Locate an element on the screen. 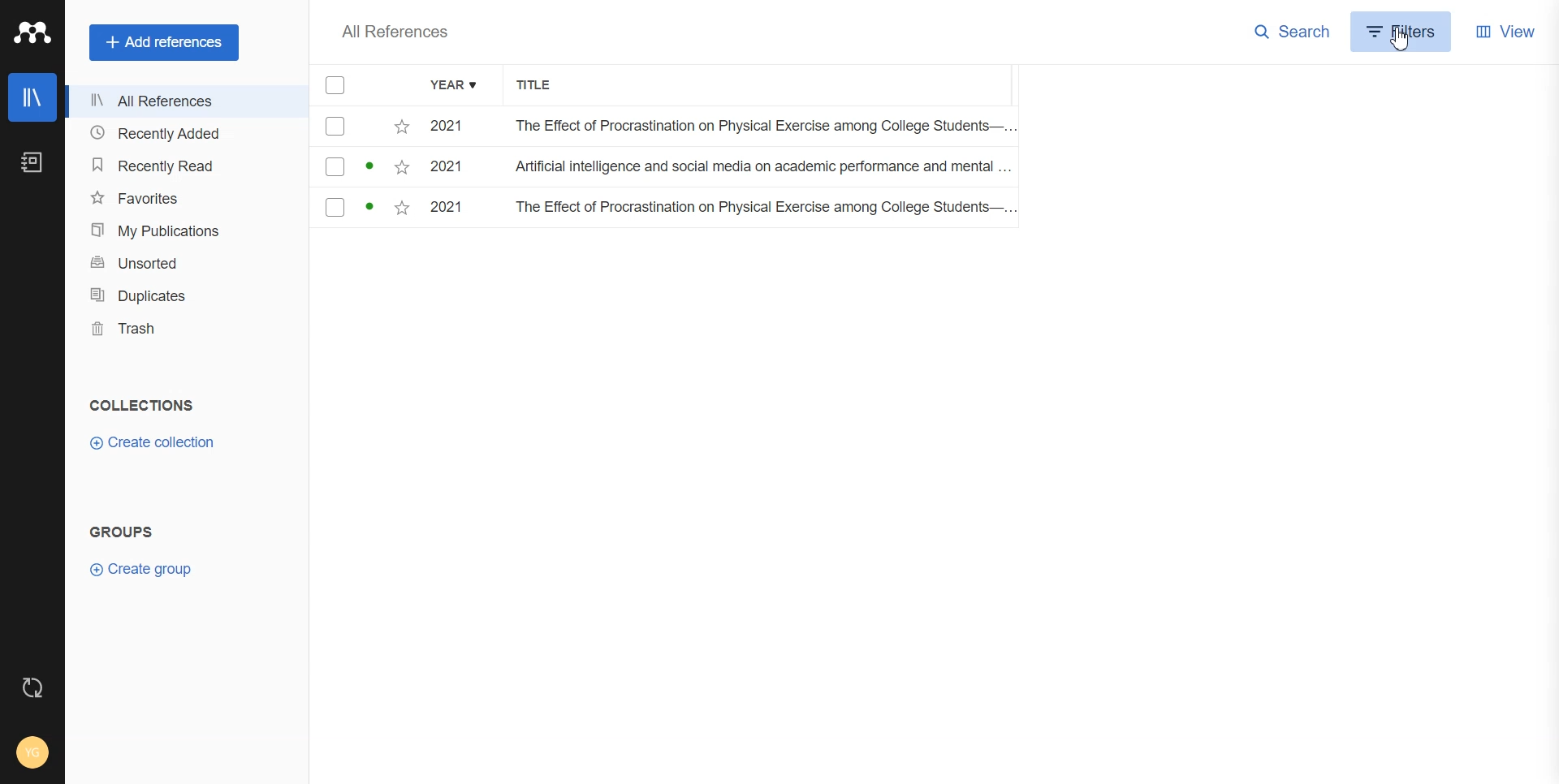 This screenshot has height=784, width=1559. Trash is located at coordinates (186, 329).